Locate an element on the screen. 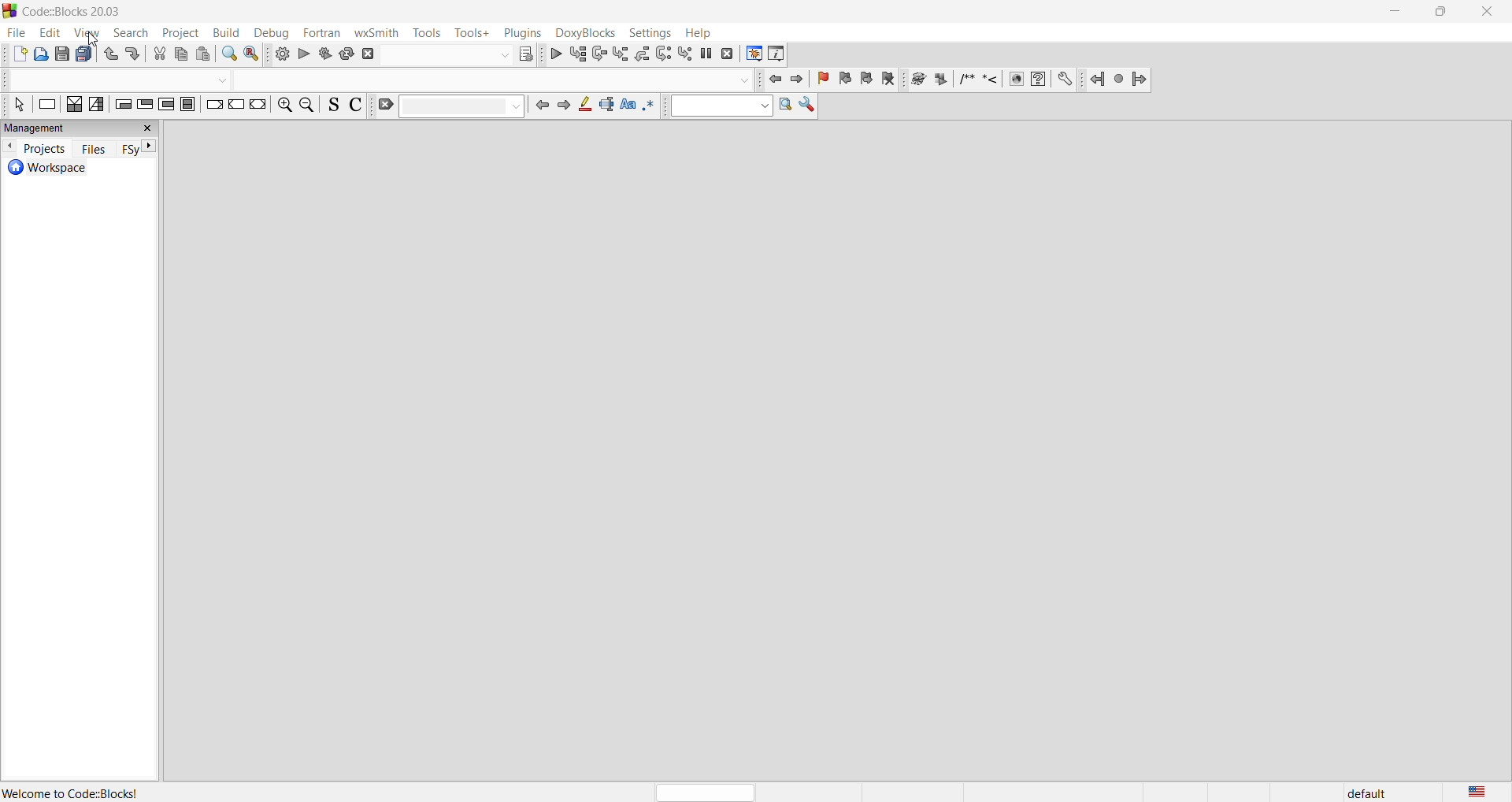  Welcome to Code::Blocks! is located at coordinates (71, 793).